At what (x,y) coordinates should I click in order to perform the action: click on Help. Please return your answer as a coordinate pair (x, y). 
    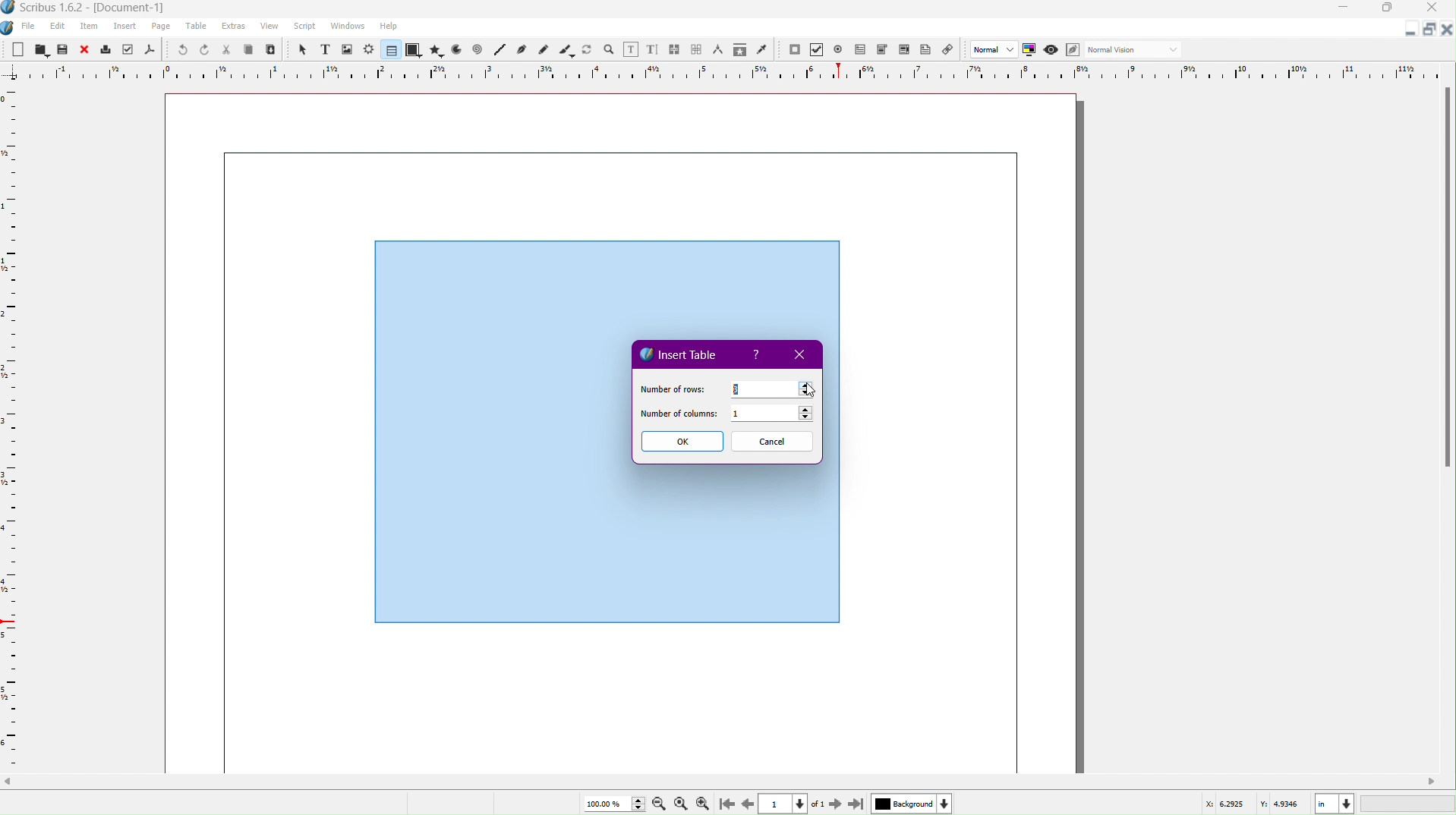
    Looking at the image, I should click on (389, 26).